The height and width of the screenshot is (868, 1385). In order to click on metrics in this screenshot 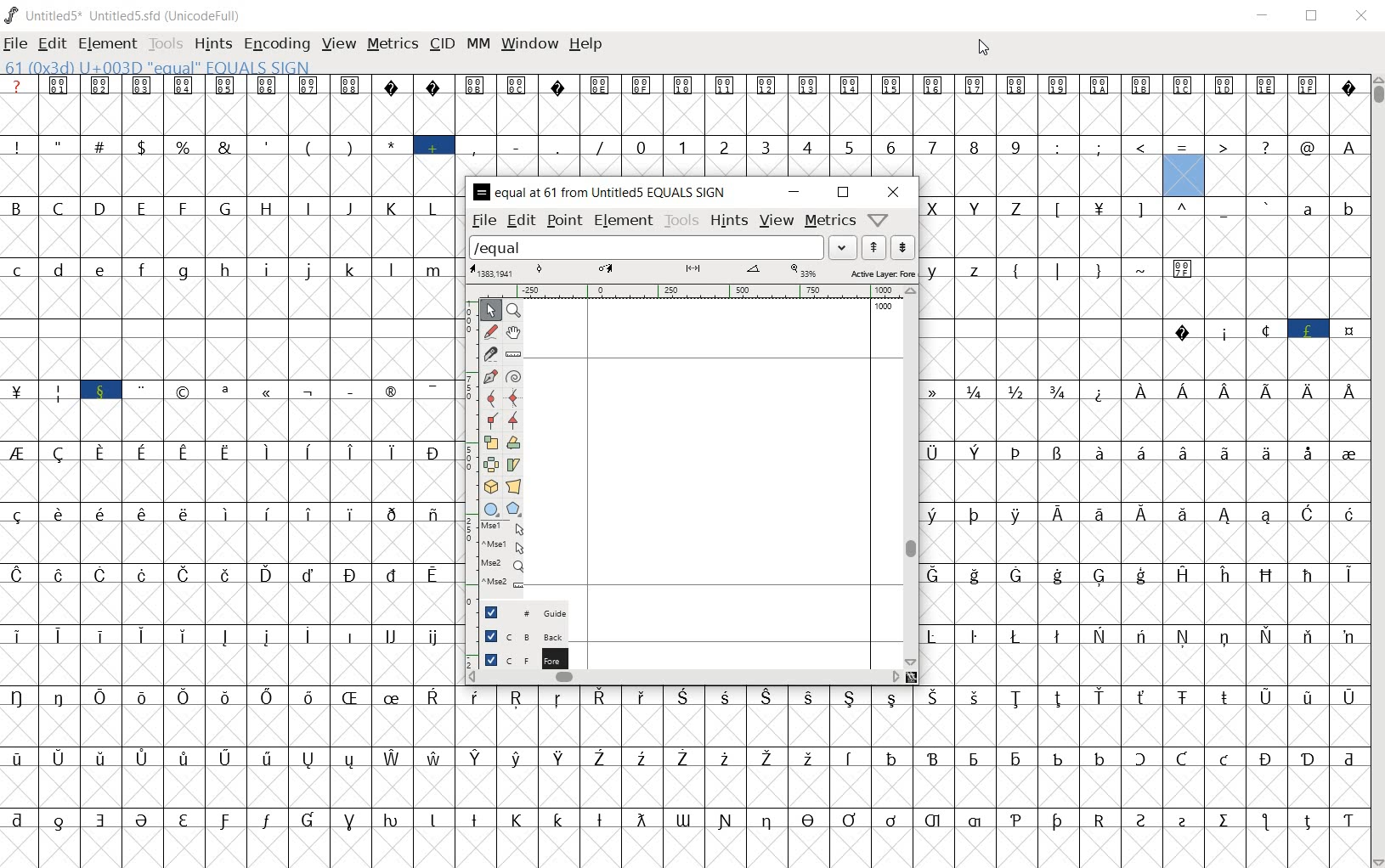, I will do `click(392, 44)`.